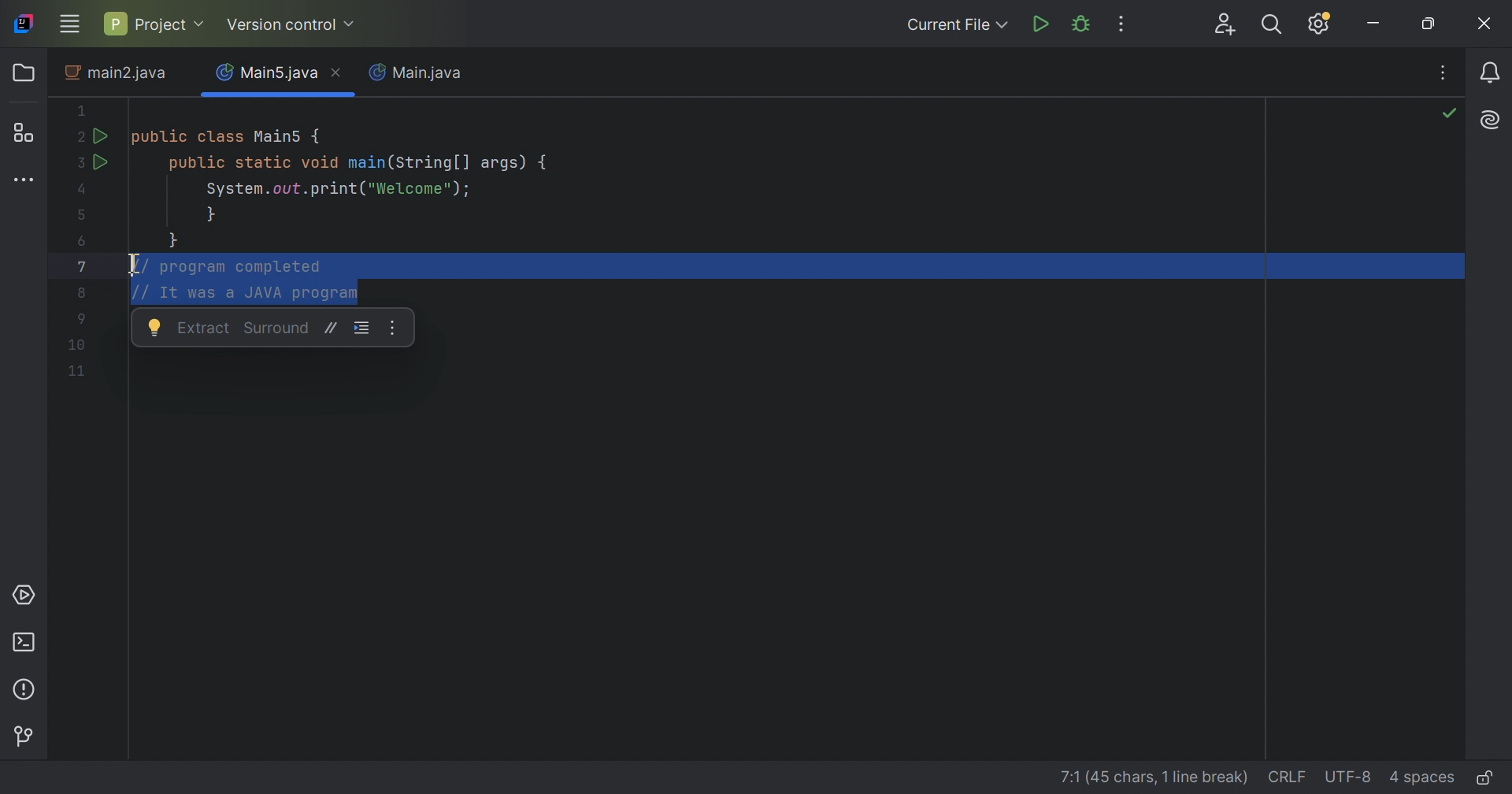  Describe the element at coordinates (1422, 776) in the screenshot. I see `4 spaces(Indent)` at that location.